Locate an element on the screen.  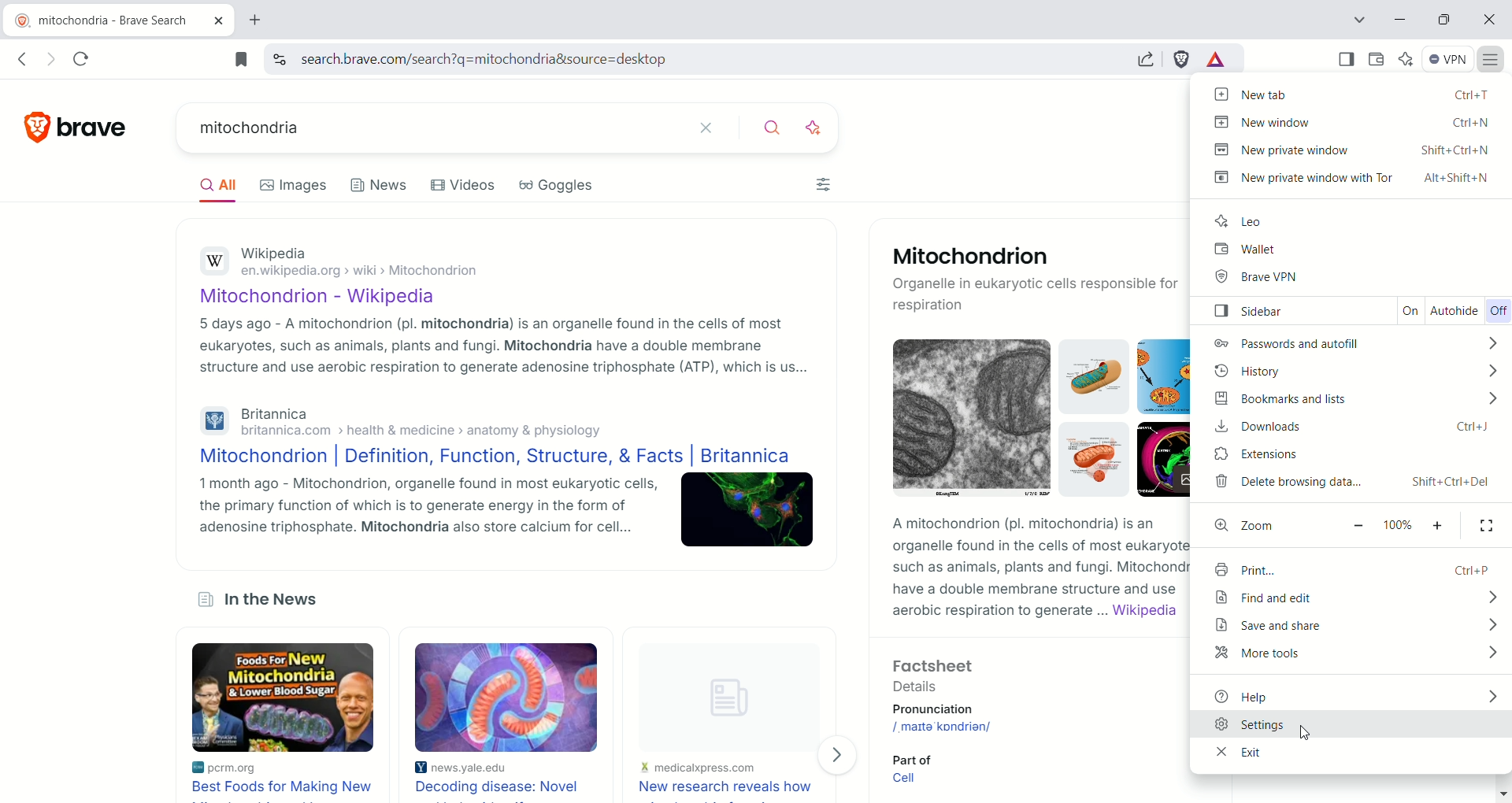
Goggles is located at coordinates (556, 190).